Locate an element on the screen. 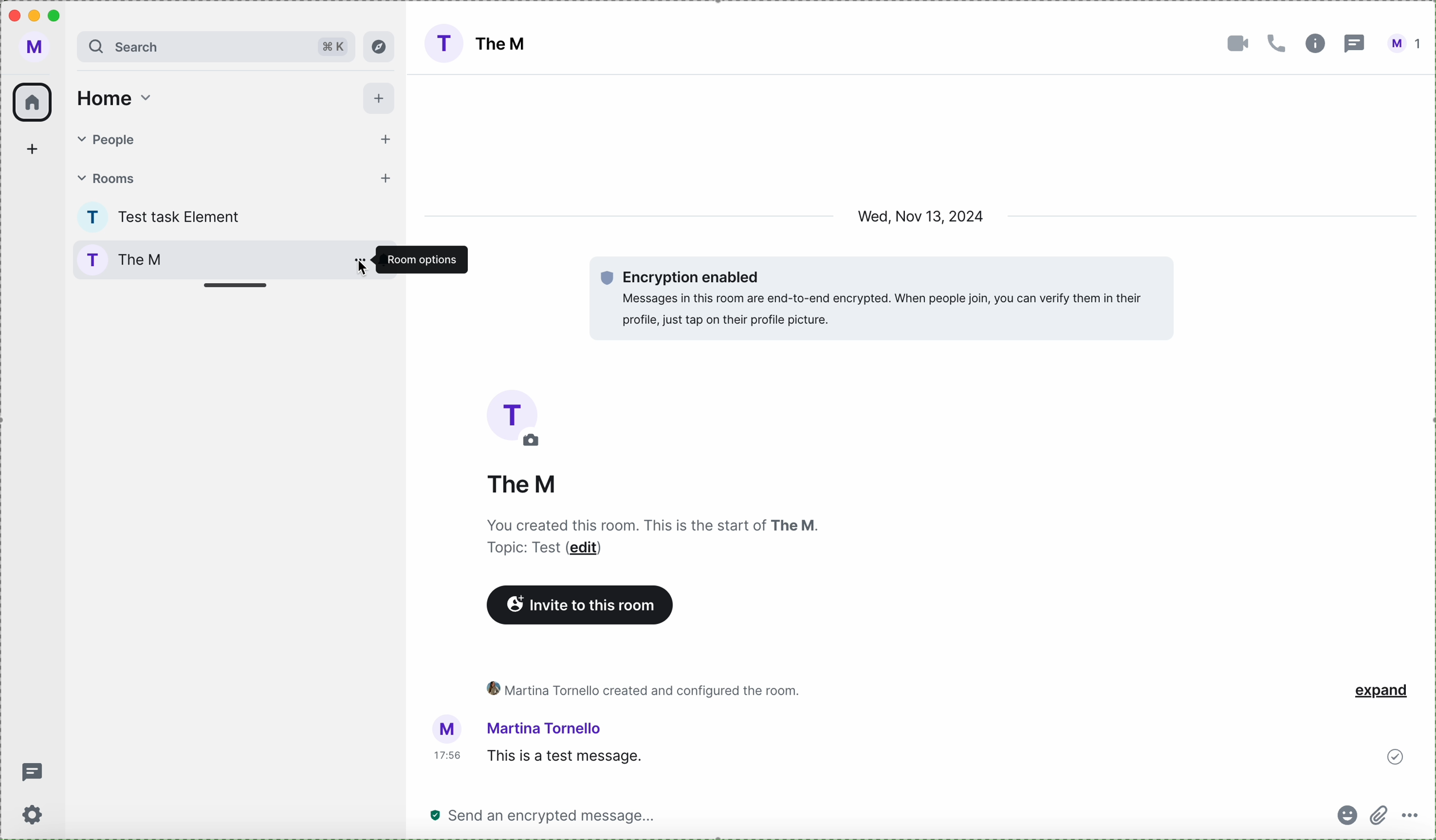  date is located at coordinates (923, 215).